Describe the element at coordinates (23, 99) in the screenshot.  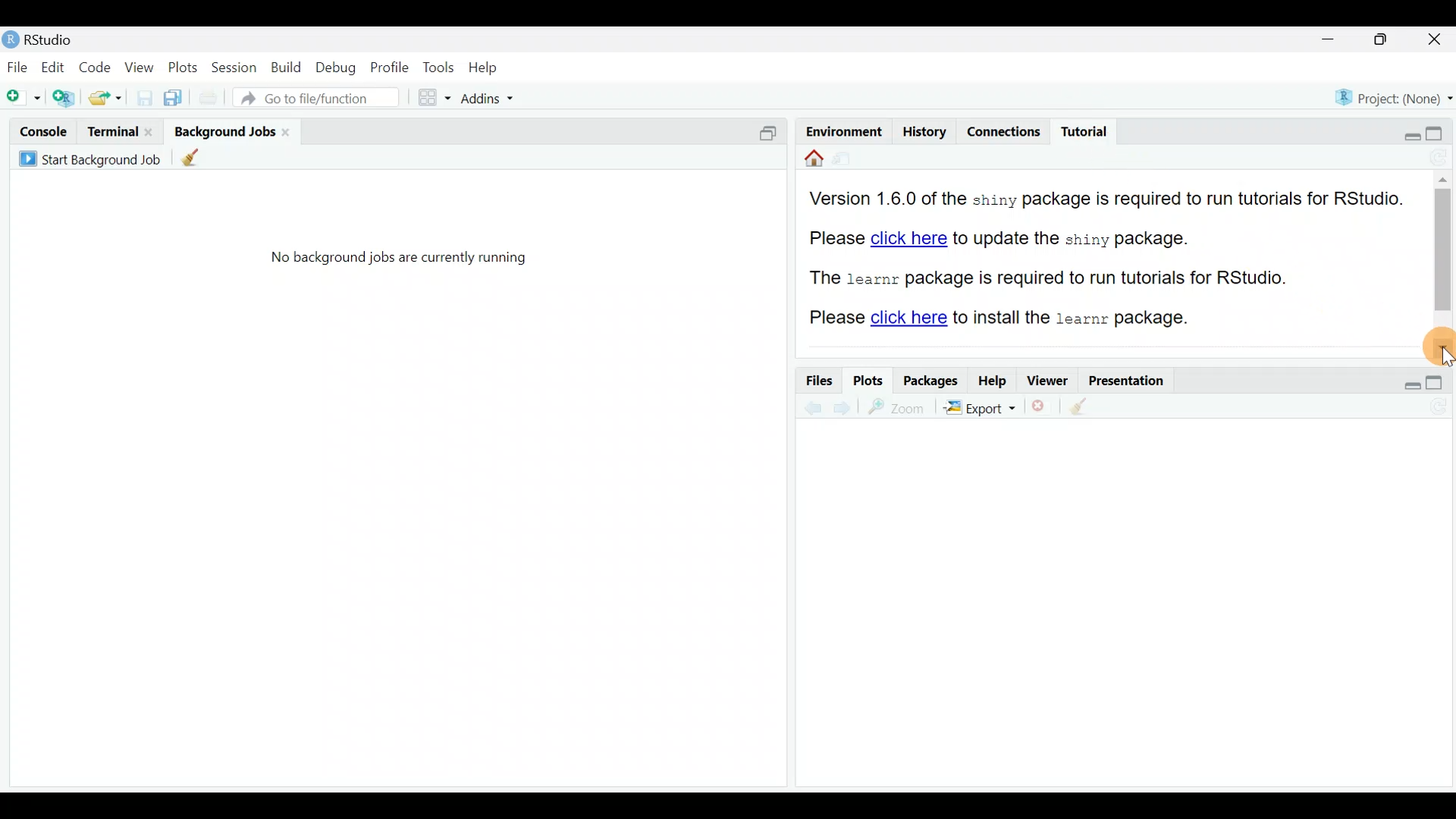
I see `New file` at that location.